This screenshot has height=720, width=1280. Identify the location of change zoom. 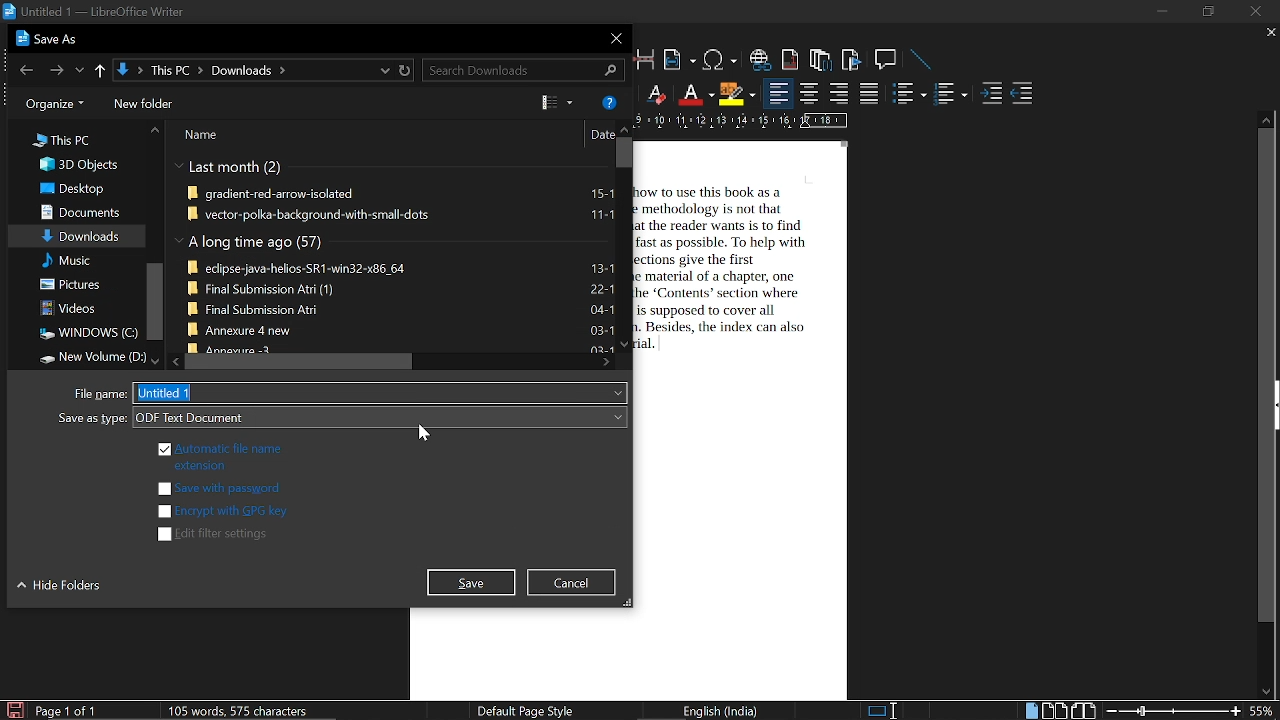
(1174, 712).